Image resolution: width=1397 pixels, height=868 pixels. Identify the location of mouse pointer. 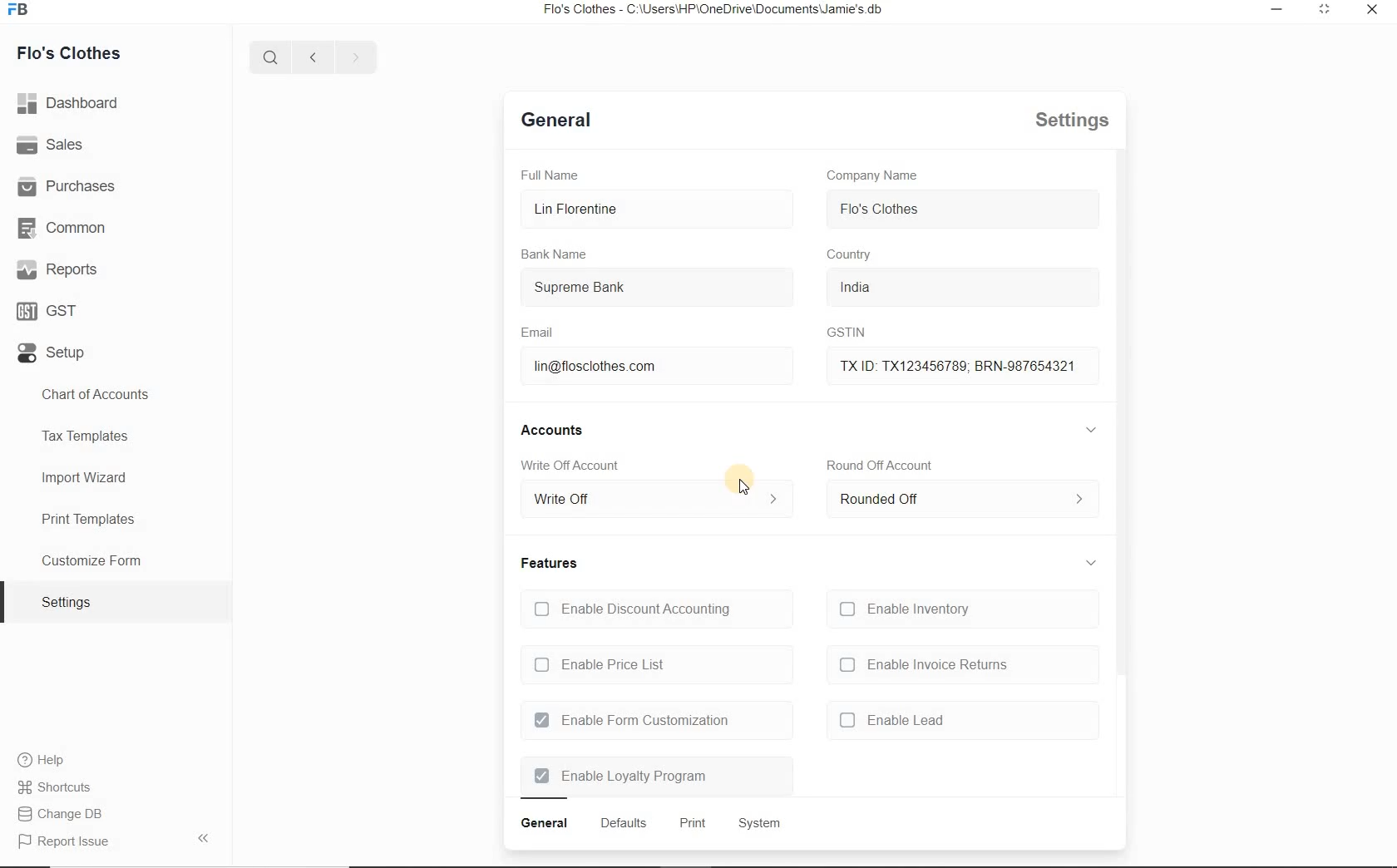
(748, 486).